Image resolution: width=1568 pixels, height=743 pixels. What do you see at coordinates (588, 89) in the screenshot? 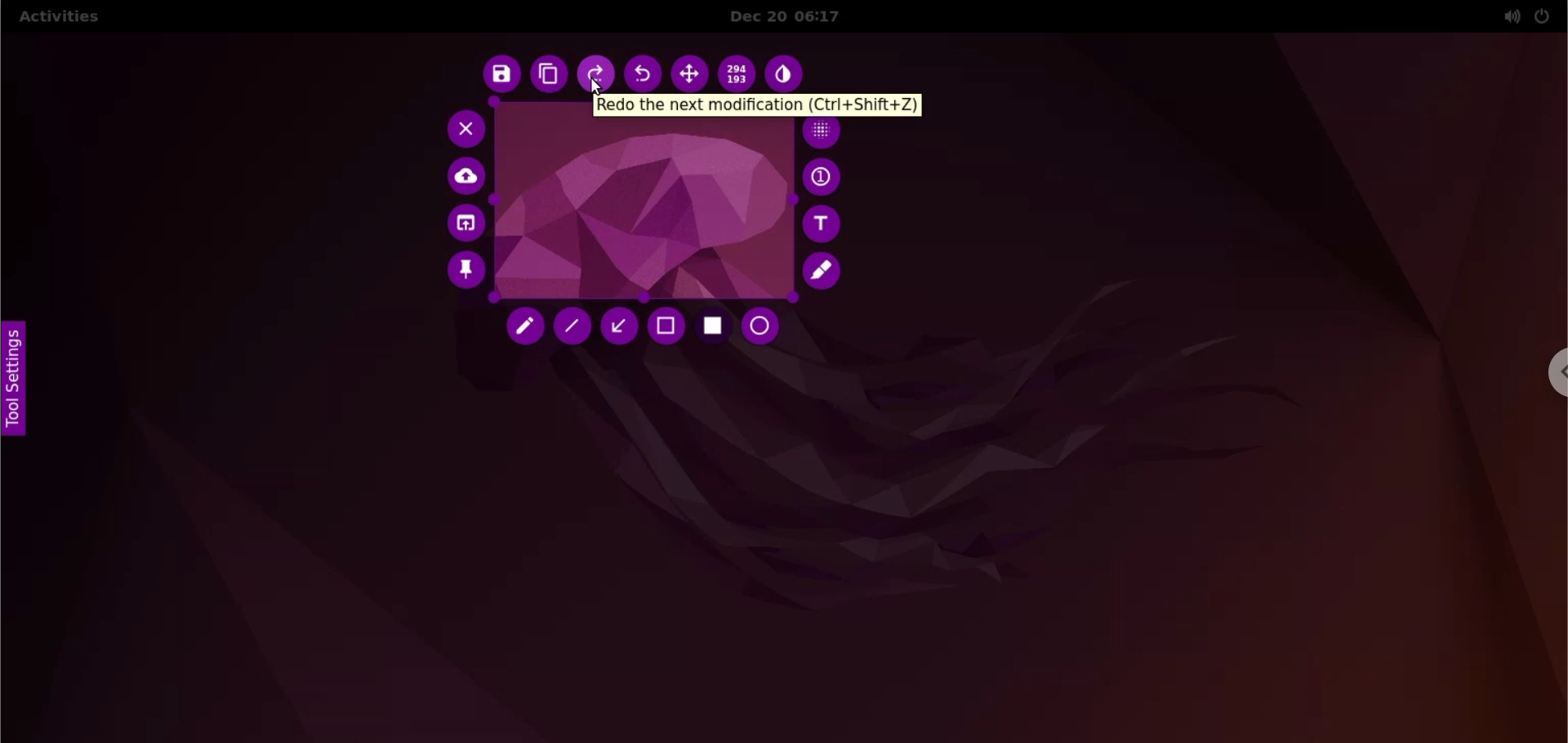
I see `cursor` at bounding box center [588, 89].